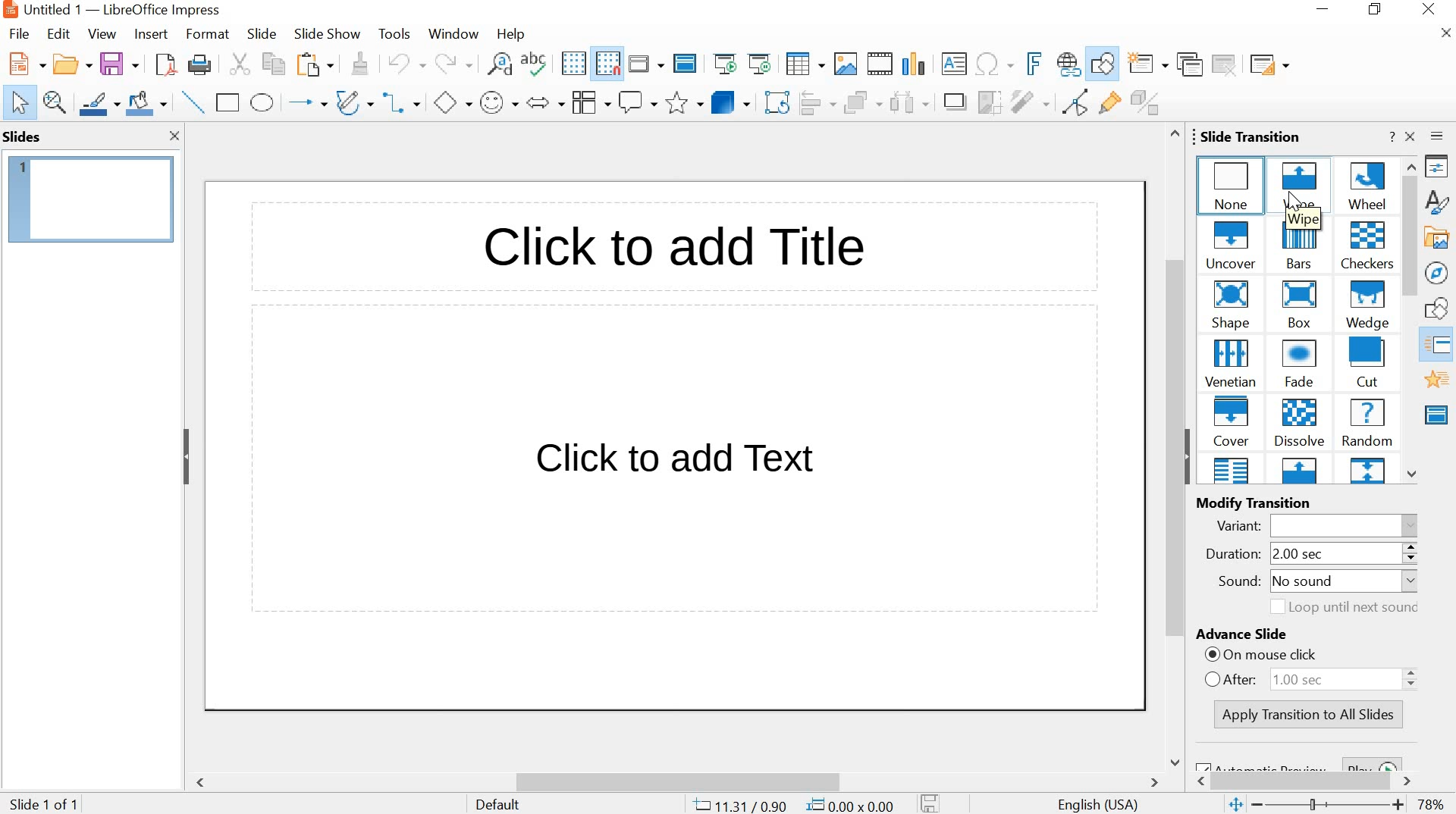  Describe the element at coordinates (1311, 715) in the screenshot. I see `APPLY TRANSITION TO ALLSIDES` at that location.